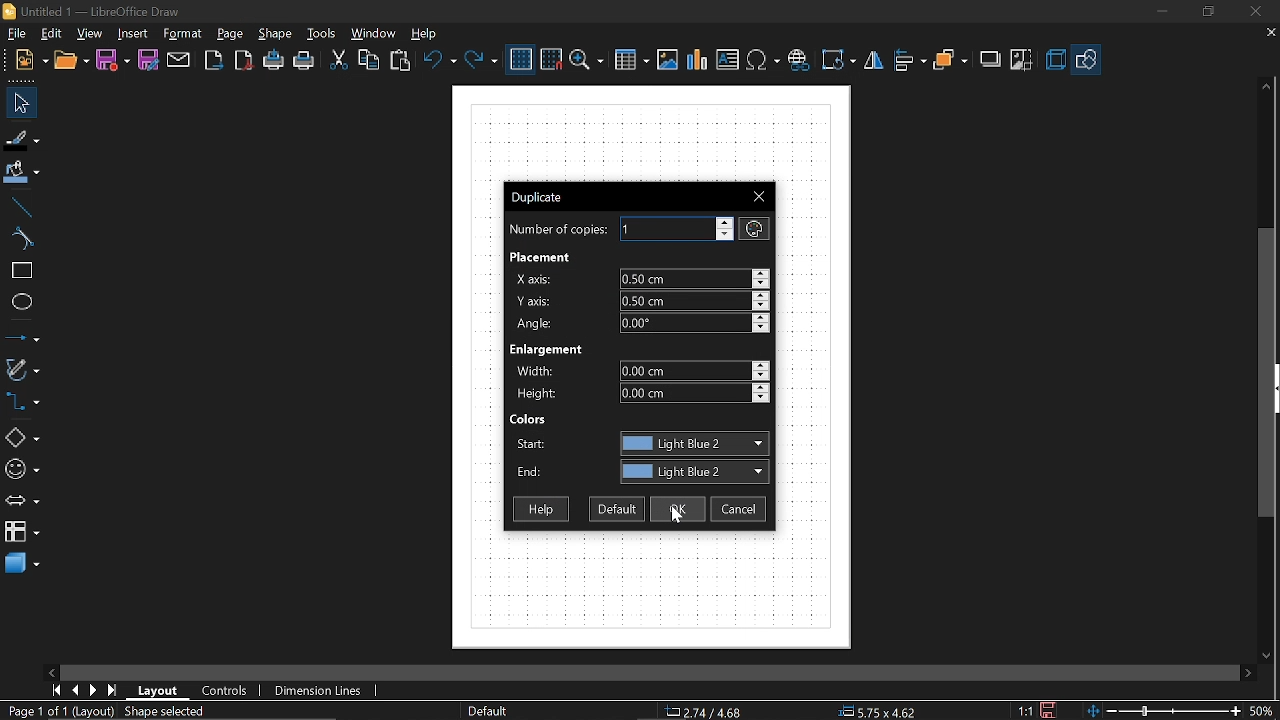 The image size is (1280, 720). What do you see at coordinates (1204, 12) in the screenshot?
I see `Restore down` at bounding box center [1204, 12].